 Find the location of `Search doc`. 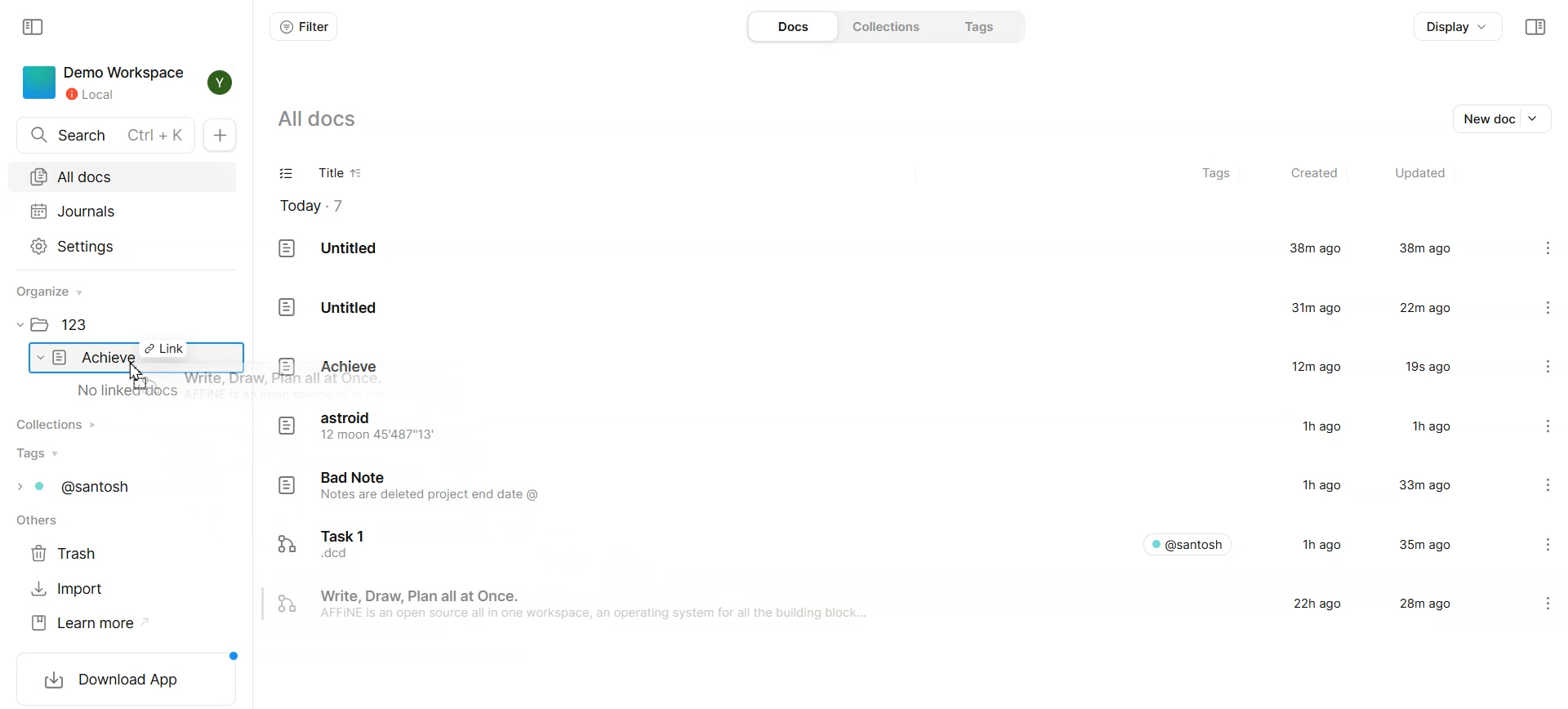

Search doc is located at coordinates (106, 136).